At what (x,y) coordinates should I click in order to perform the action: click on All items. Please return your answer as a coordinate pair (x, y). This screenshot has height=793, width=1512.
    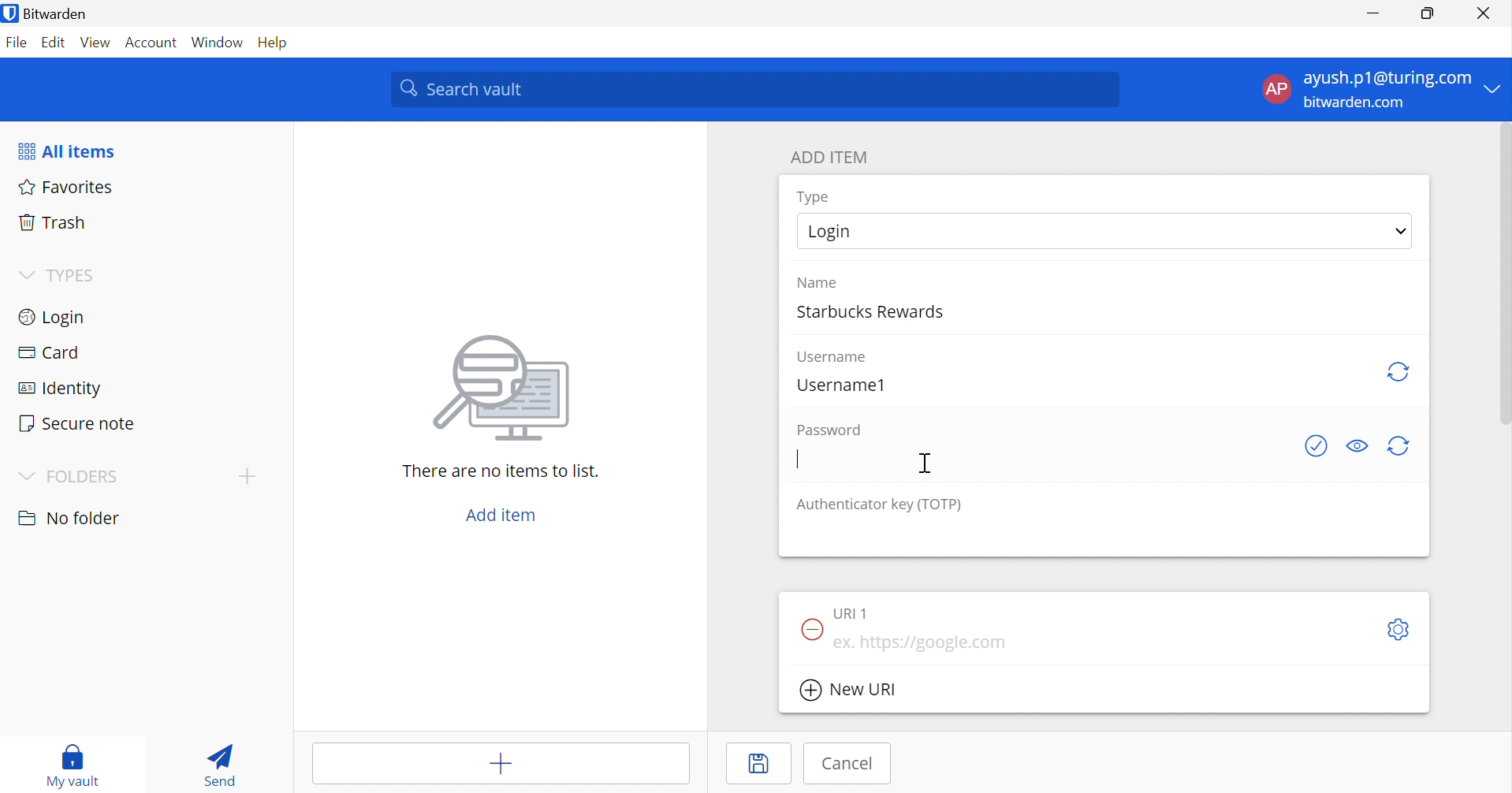
    Looking at the image, I should click on (65, 152).